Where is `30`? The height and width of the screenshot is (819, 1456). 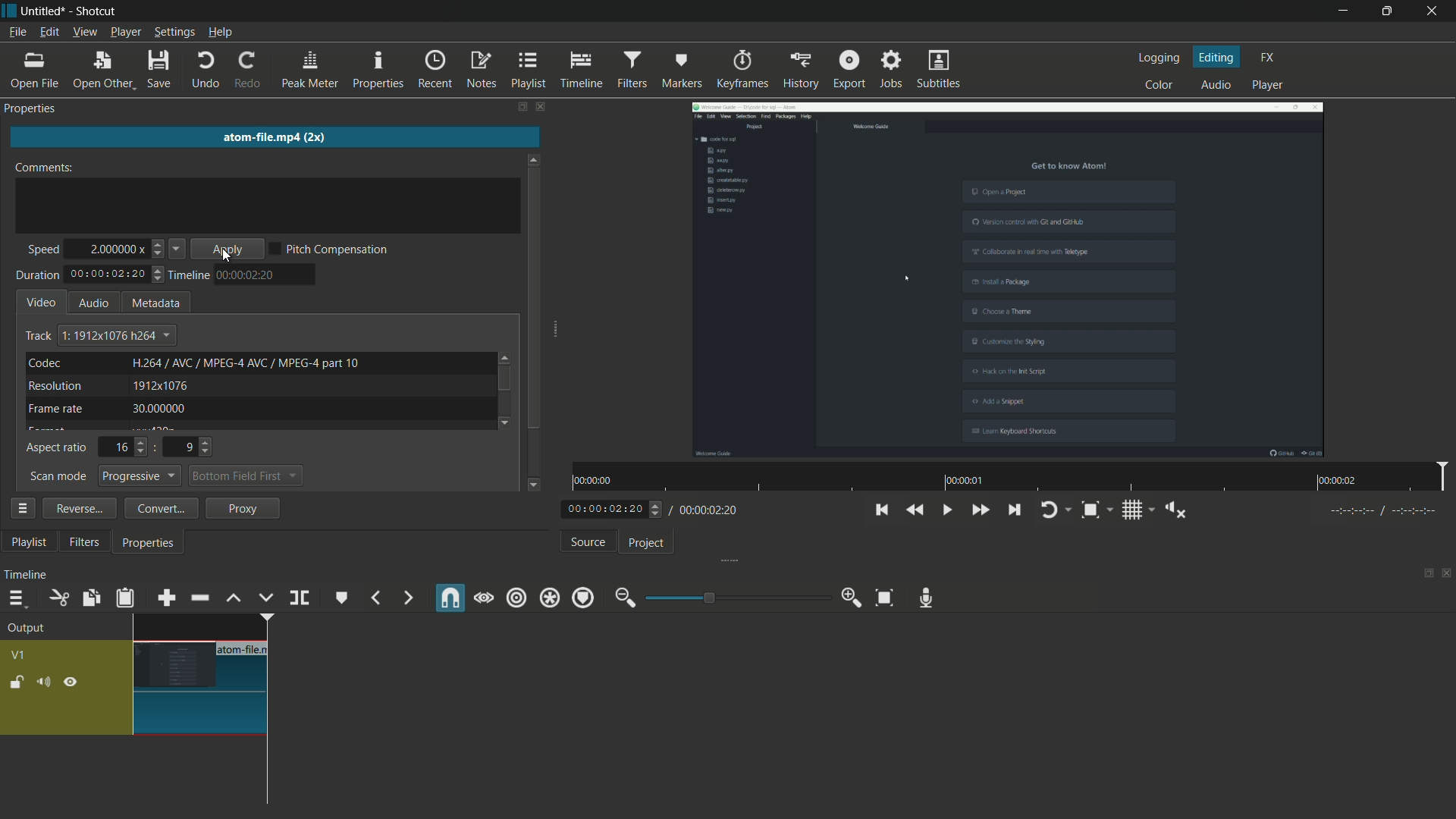 30 is located at coordinates (157, 408).